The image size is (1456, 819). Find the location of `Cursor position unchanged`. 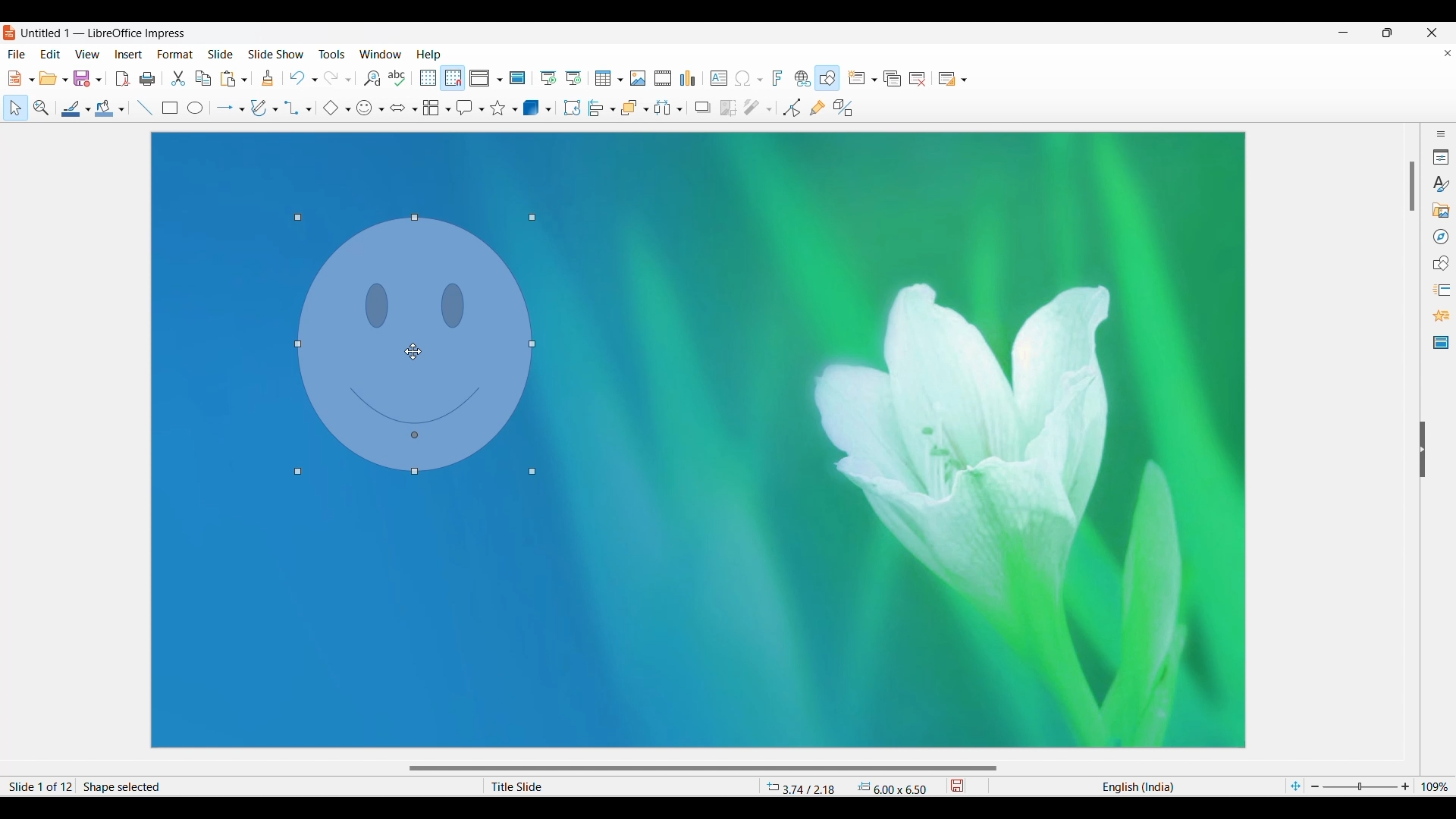

Cursor position unchanged is located at coordinates (413, 352).